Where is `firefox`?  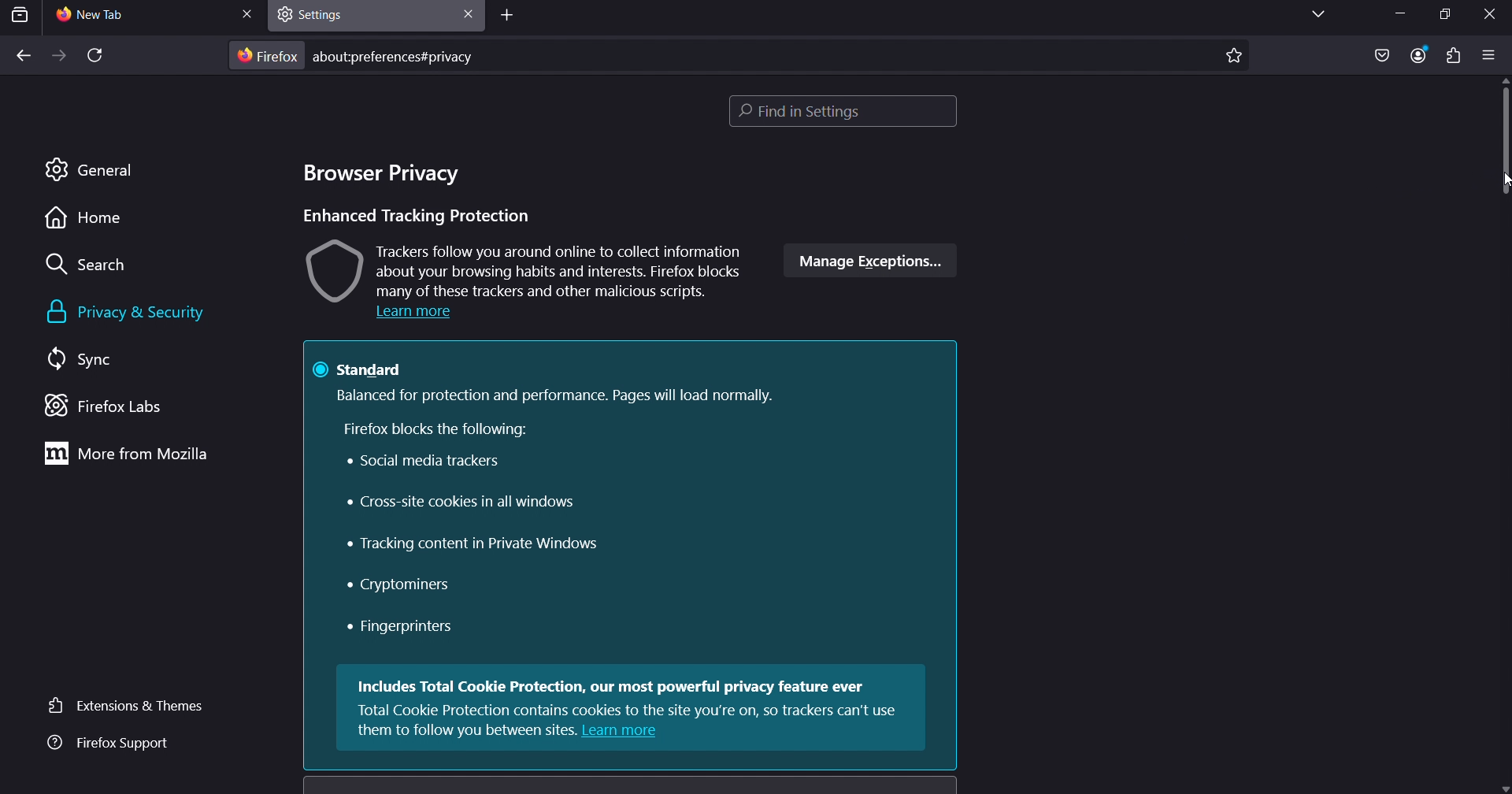
firefox is located at coordinates (268, 56).